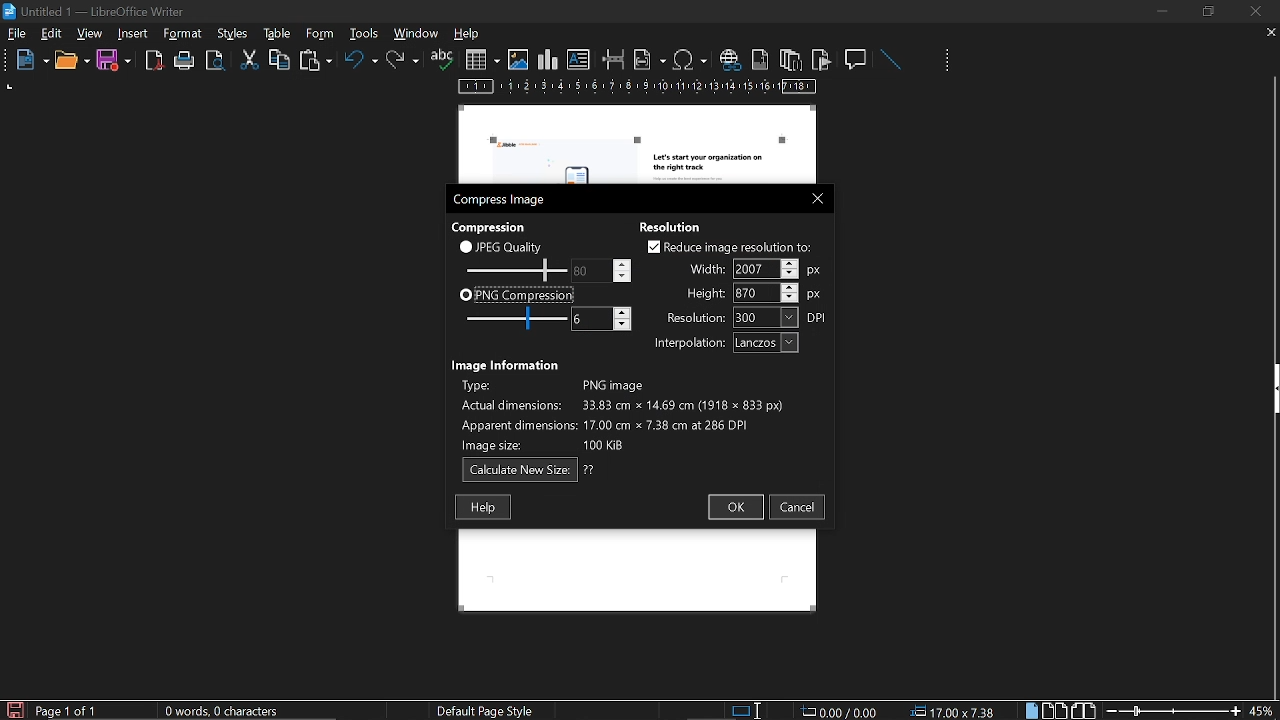  What do you see at coordinates (513, 269) in the screenshot?
I see `jpeg quality scale` at bounding box center [513, 269].